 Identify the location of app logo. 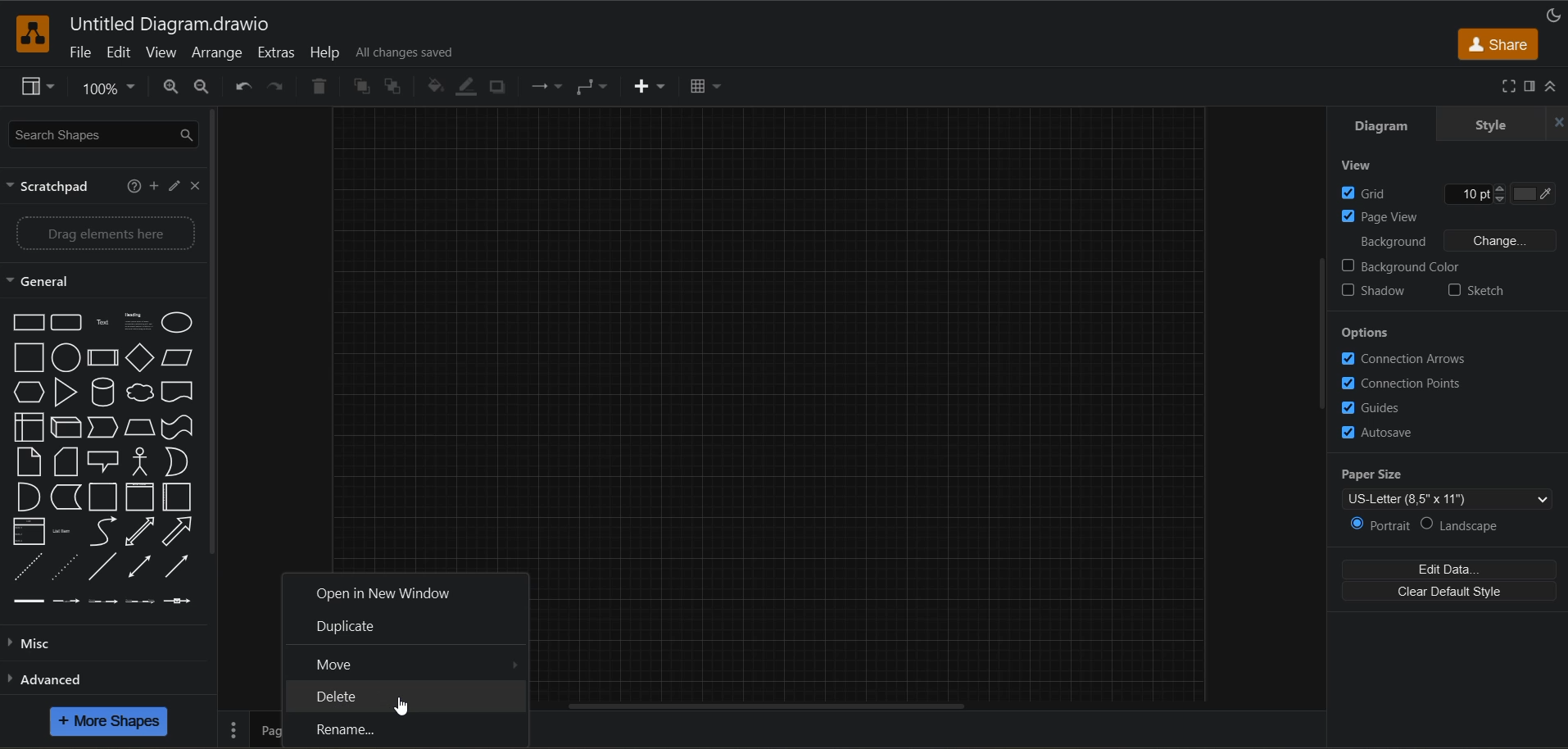
(34, 35).